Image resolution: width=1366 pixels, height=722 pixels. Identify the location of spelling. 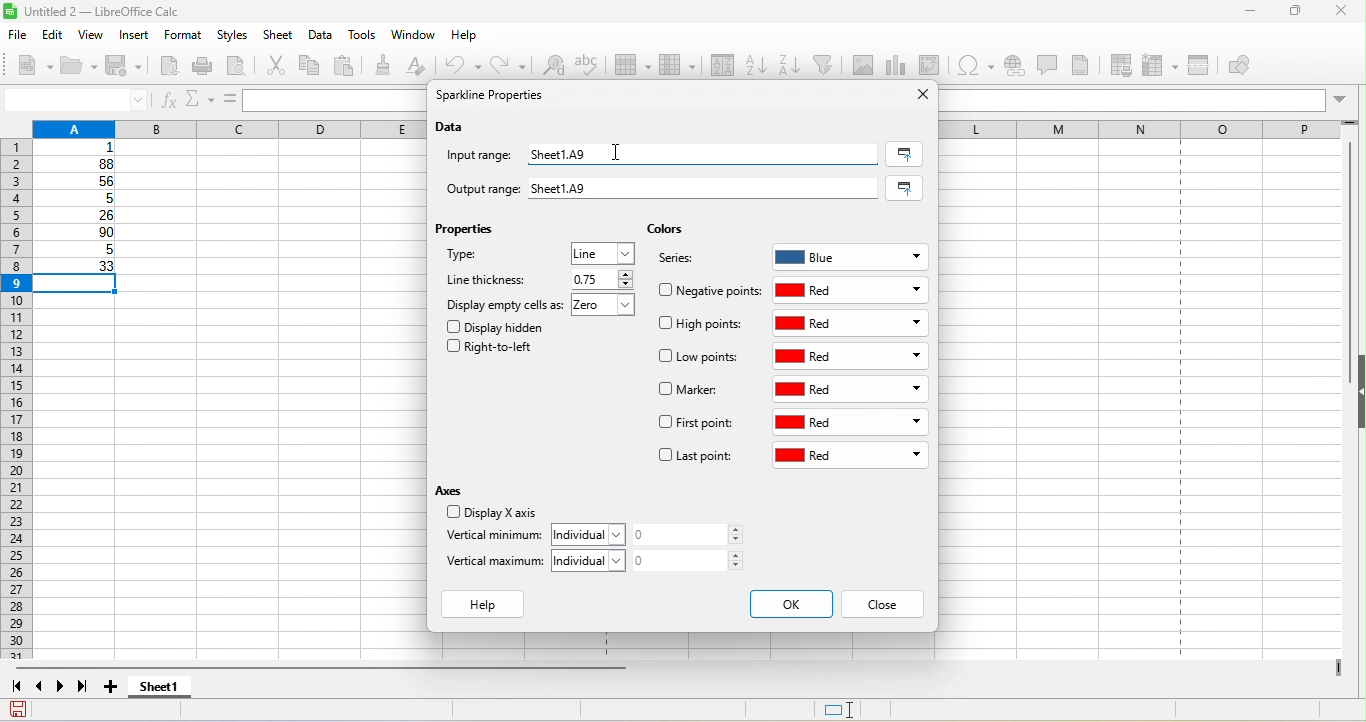
(594, 70).